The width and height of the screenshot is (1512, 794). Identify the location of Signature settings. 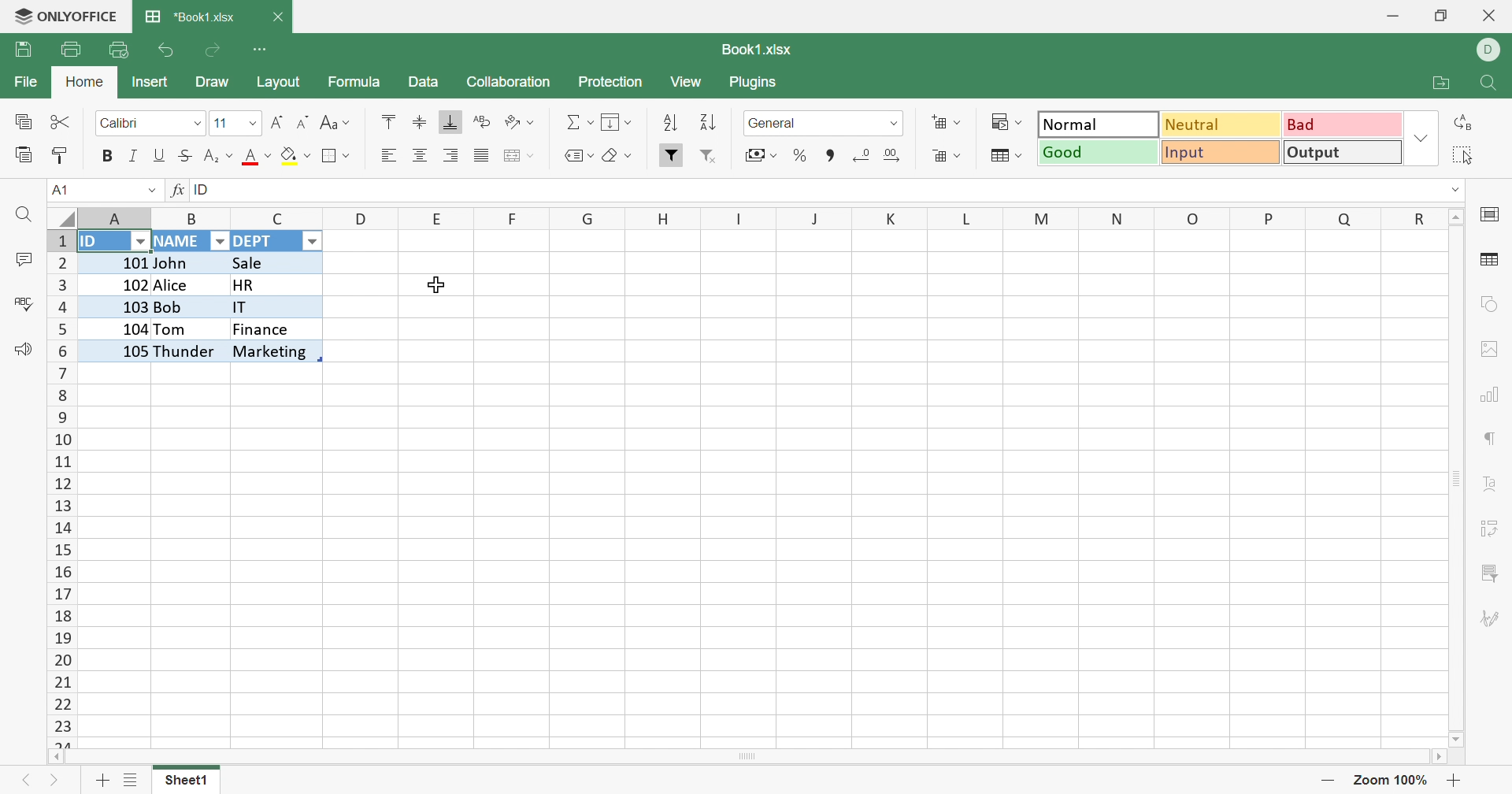
(1494, 621).